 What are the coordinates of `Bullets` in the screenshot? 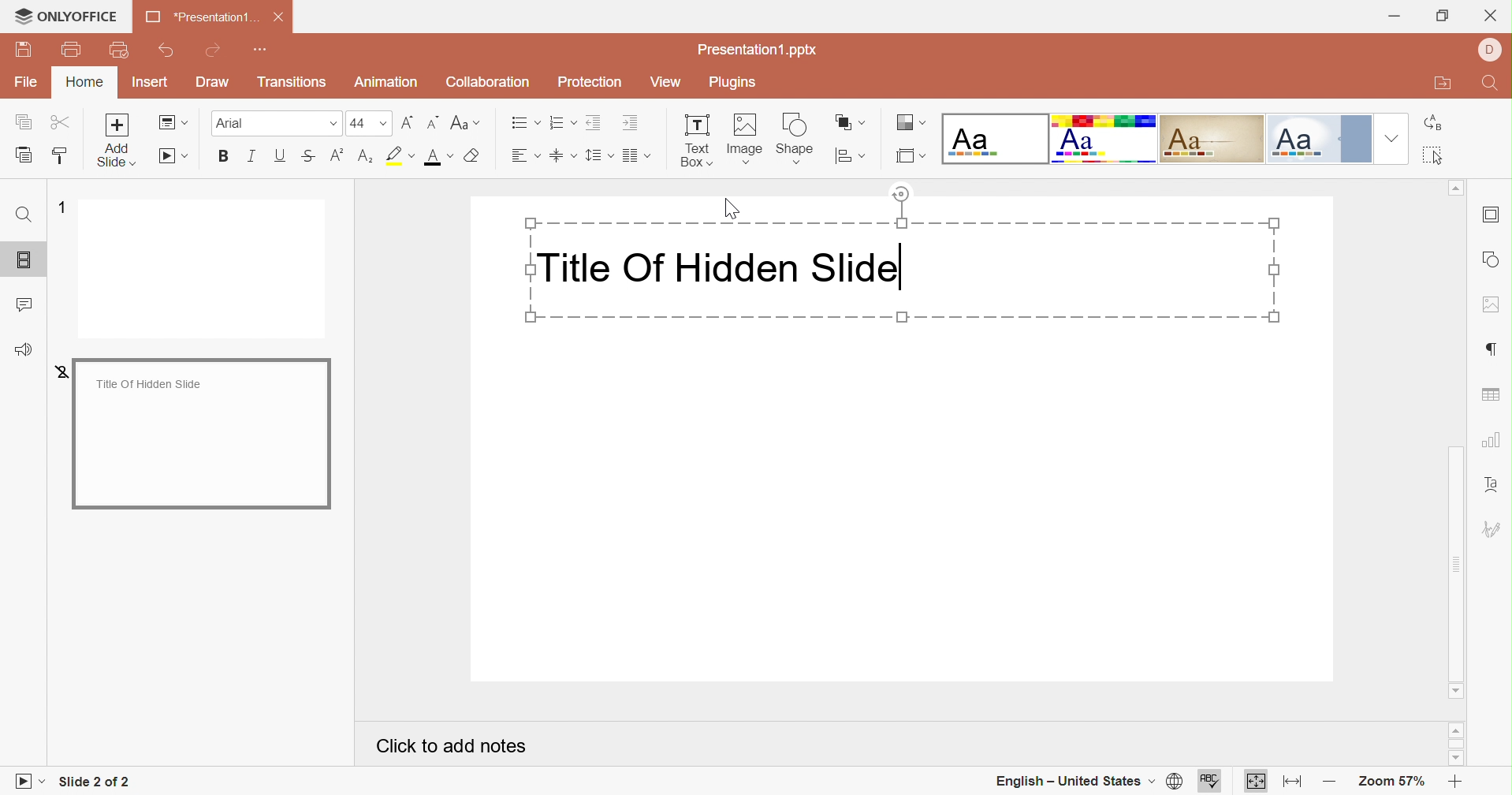 It's located at (523, 122).